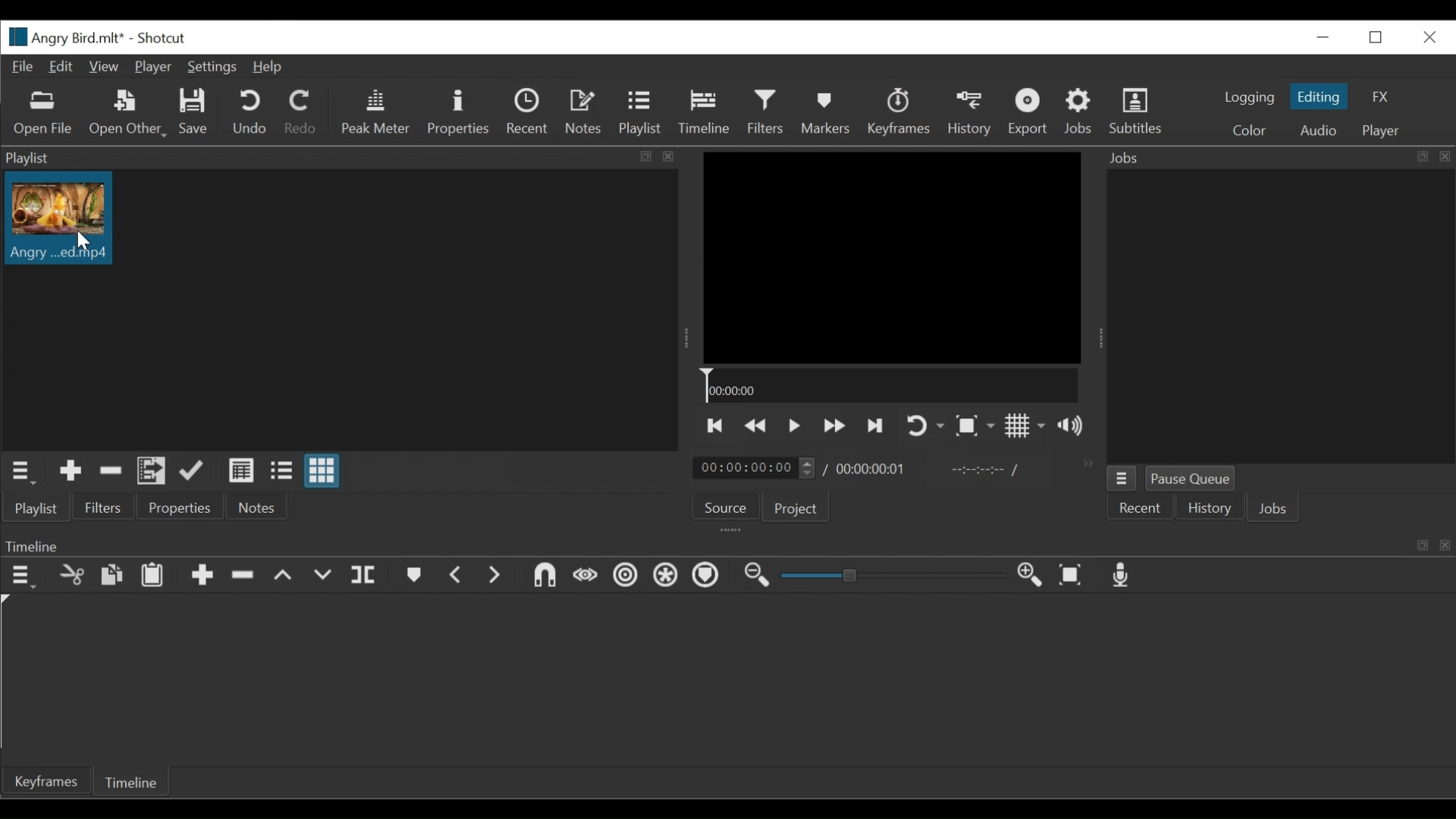 This screenshot has height=819, width=1456. Describe the element at coordinates (894, 576) in the screenshot. I see `Slider` at that location.